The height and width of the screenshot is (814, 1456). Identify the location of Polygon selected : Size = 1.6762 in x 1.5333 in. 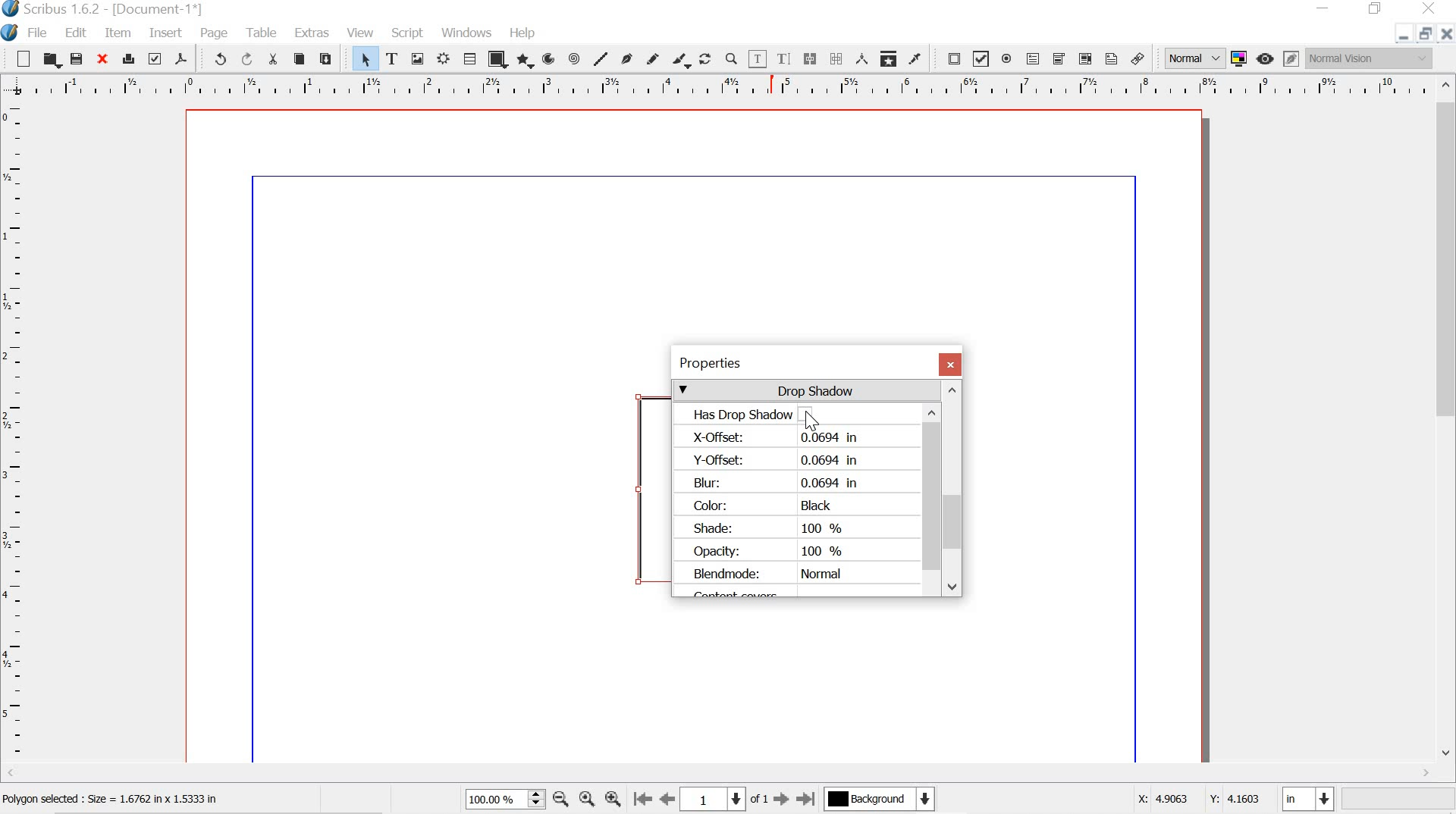
(115, 800).